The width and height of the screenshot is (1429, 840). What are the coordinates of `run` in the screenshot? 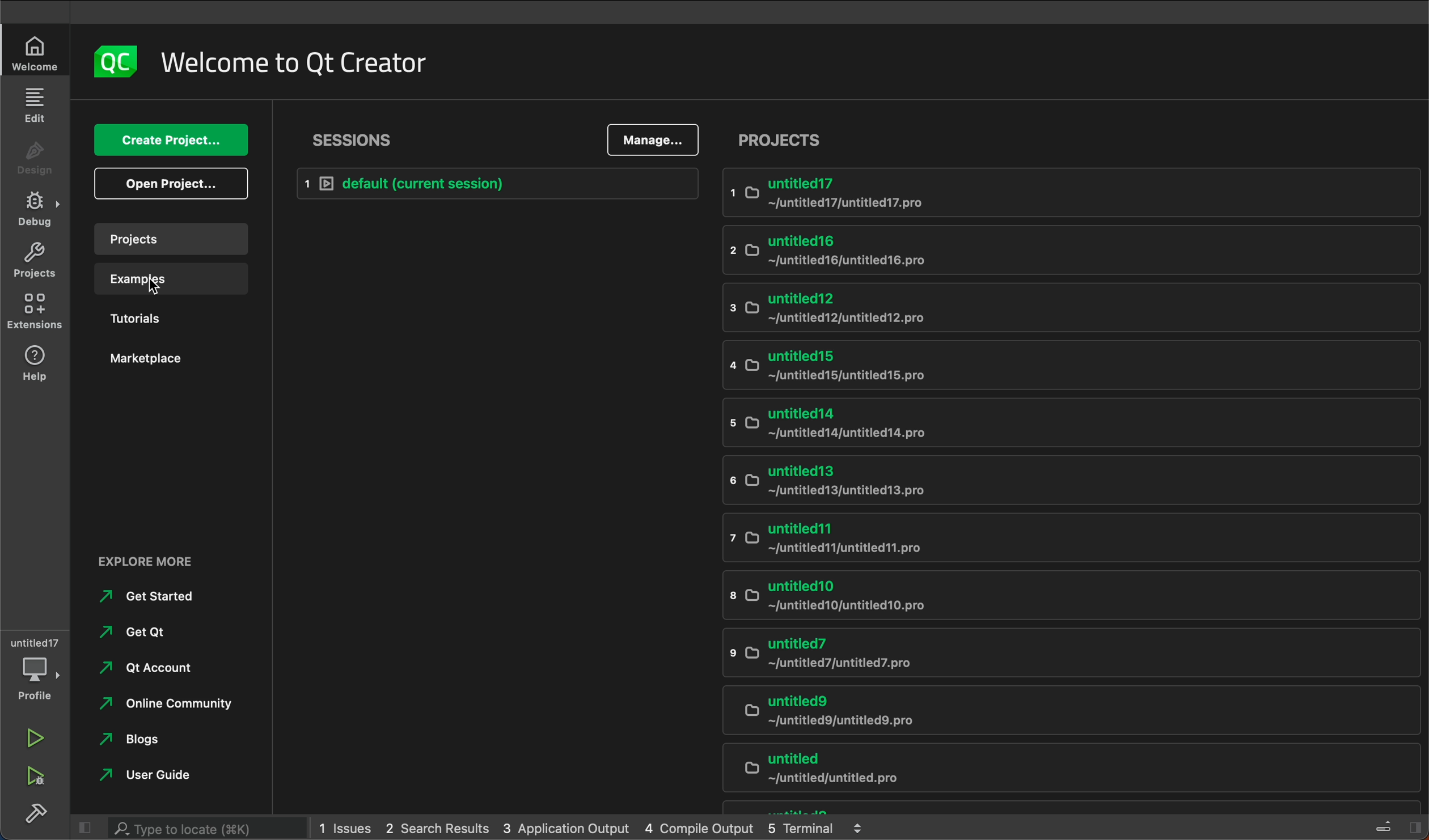 It's located at (40, 739).